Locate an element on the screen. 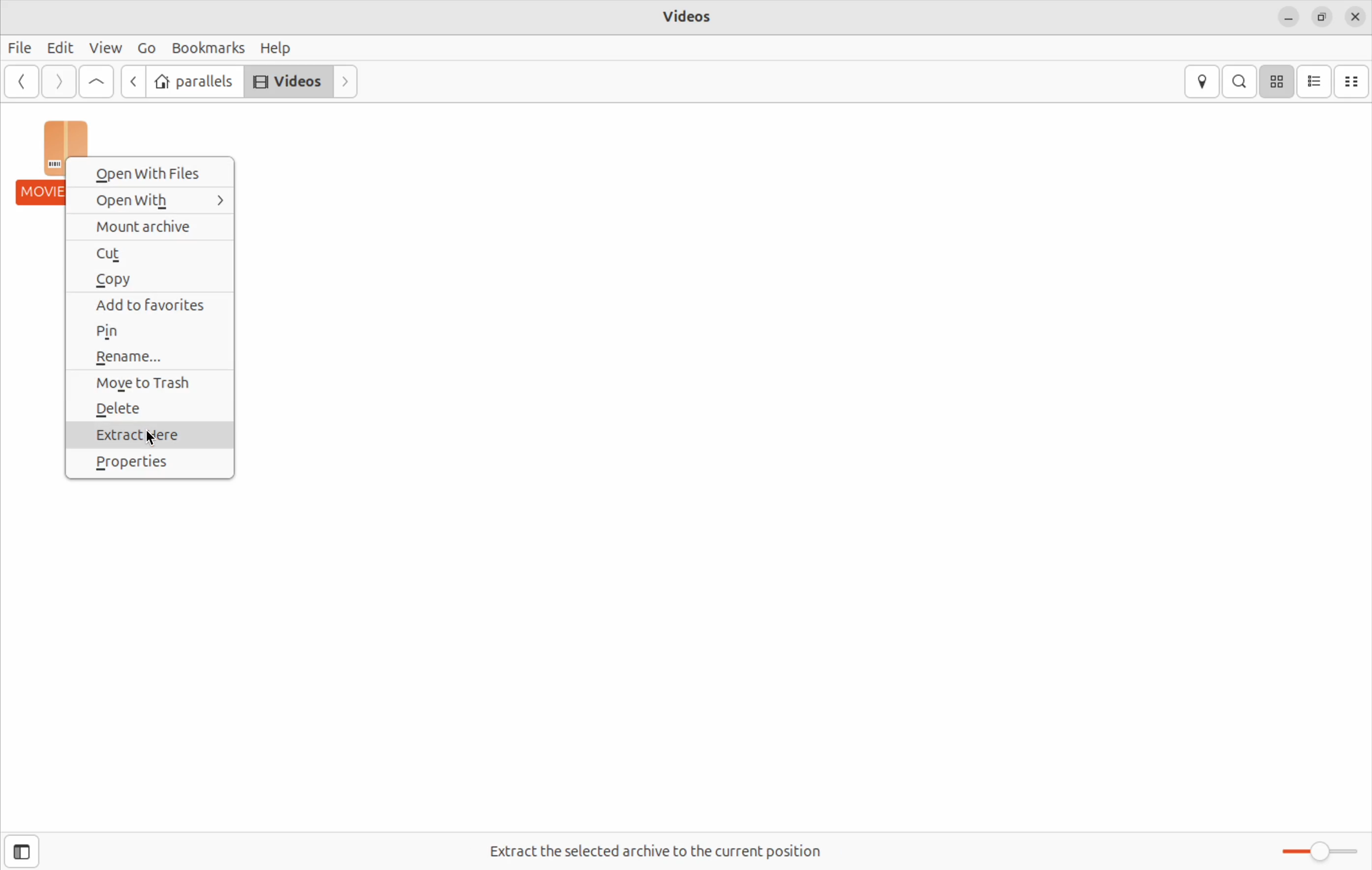 The image size is (1372, 870). Go next is located at coordinates (58, 81).